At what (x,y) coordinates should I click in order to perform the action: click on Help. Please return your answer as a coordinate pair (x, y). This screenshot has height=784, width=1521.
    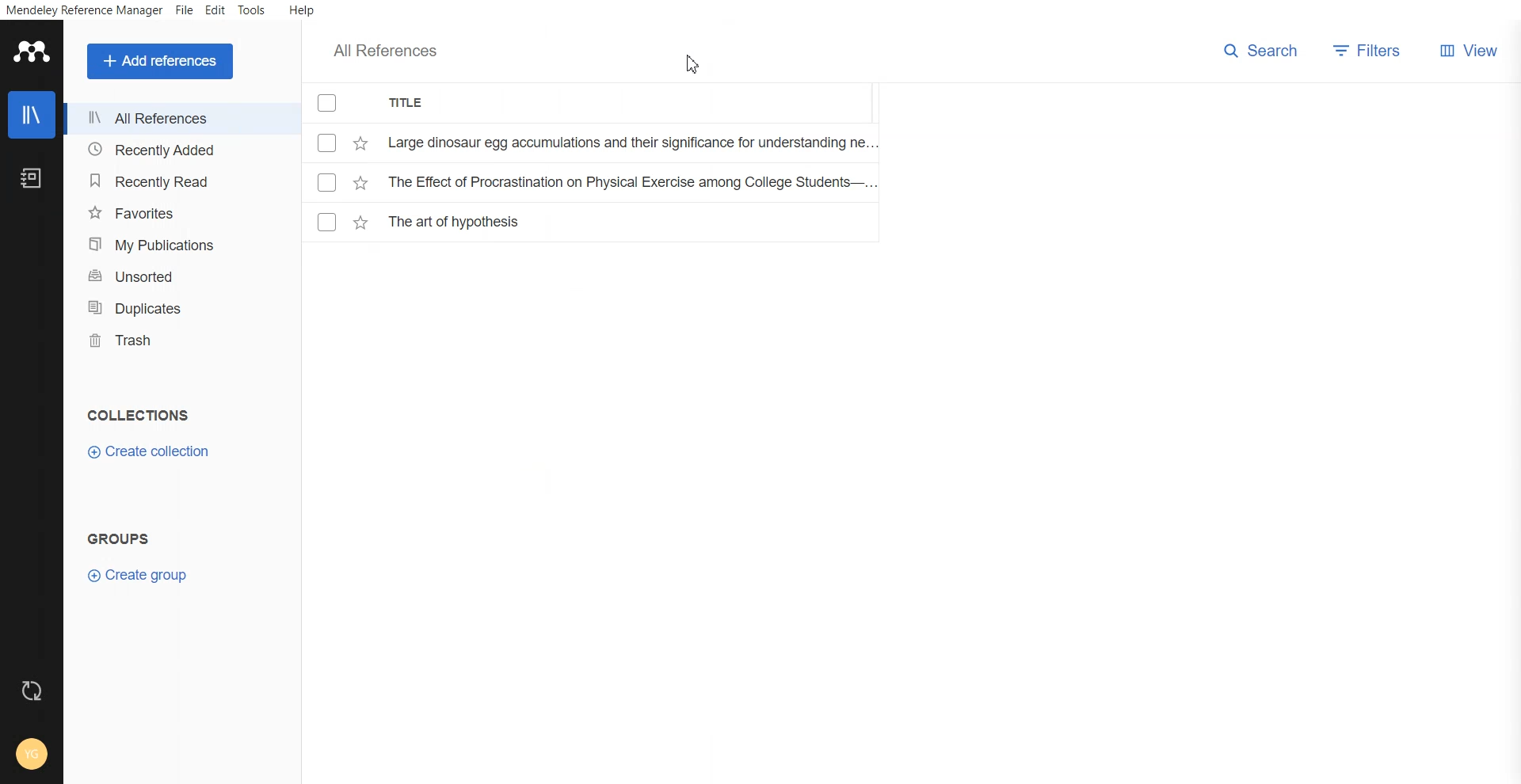
    Looking at the image, I should click on (300, 10).